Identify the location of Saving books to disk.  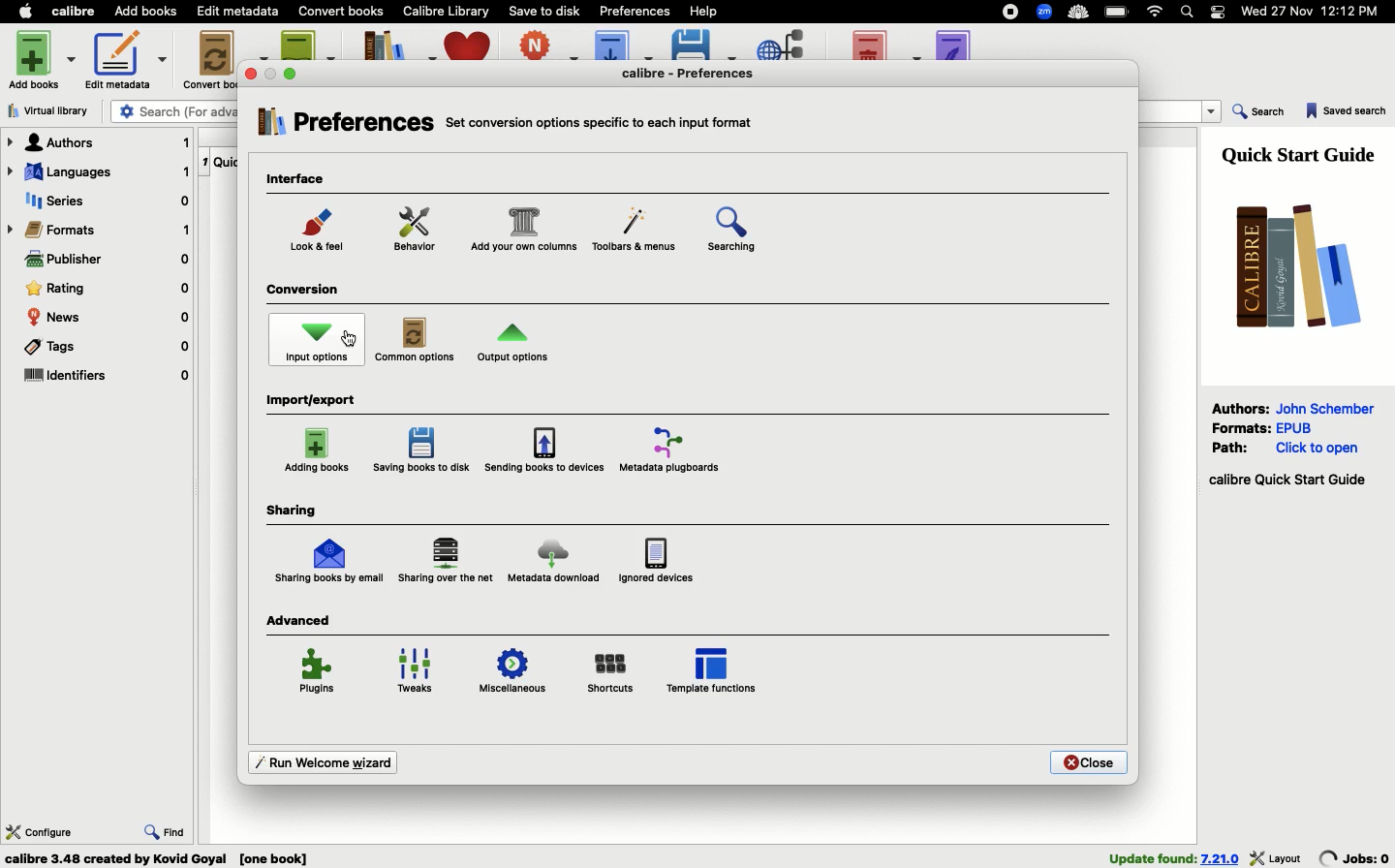
(424, 450).